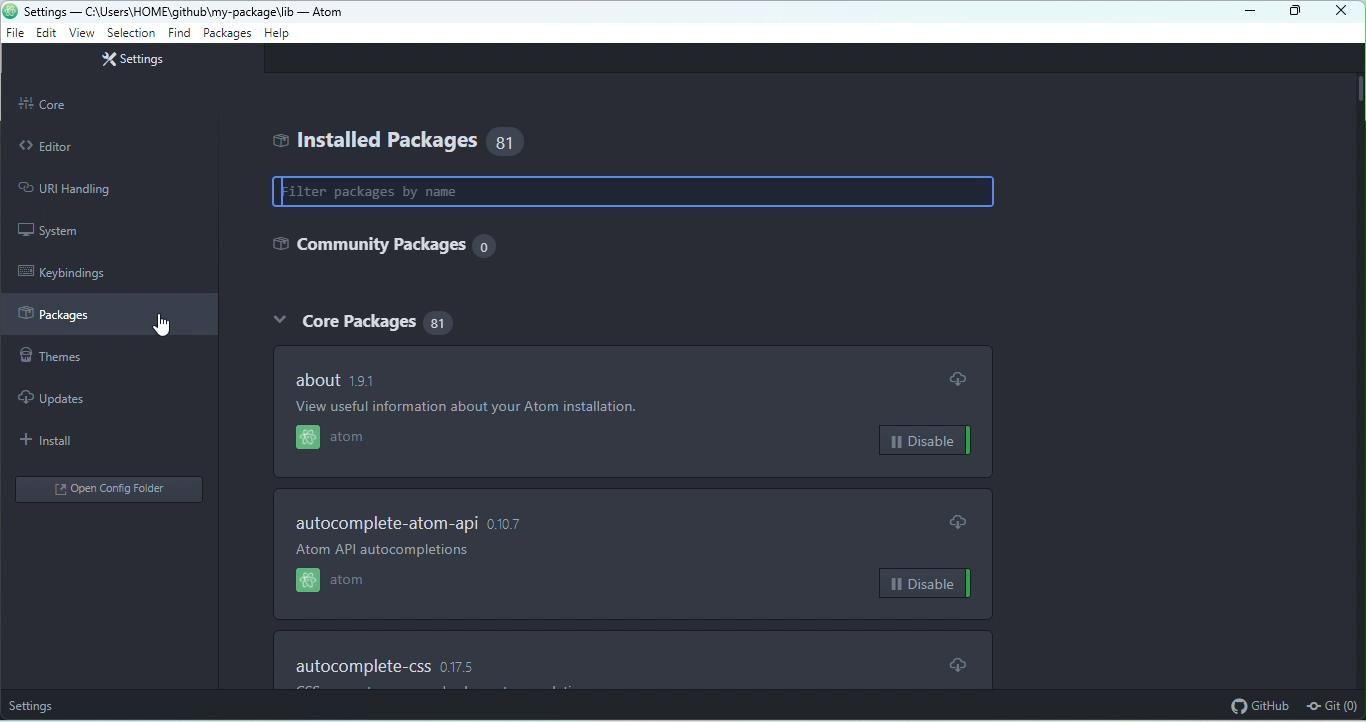 This screenshot has height=722, width=1366. I want to click on autocomplete-css 0.17.5, so click(383, 667).